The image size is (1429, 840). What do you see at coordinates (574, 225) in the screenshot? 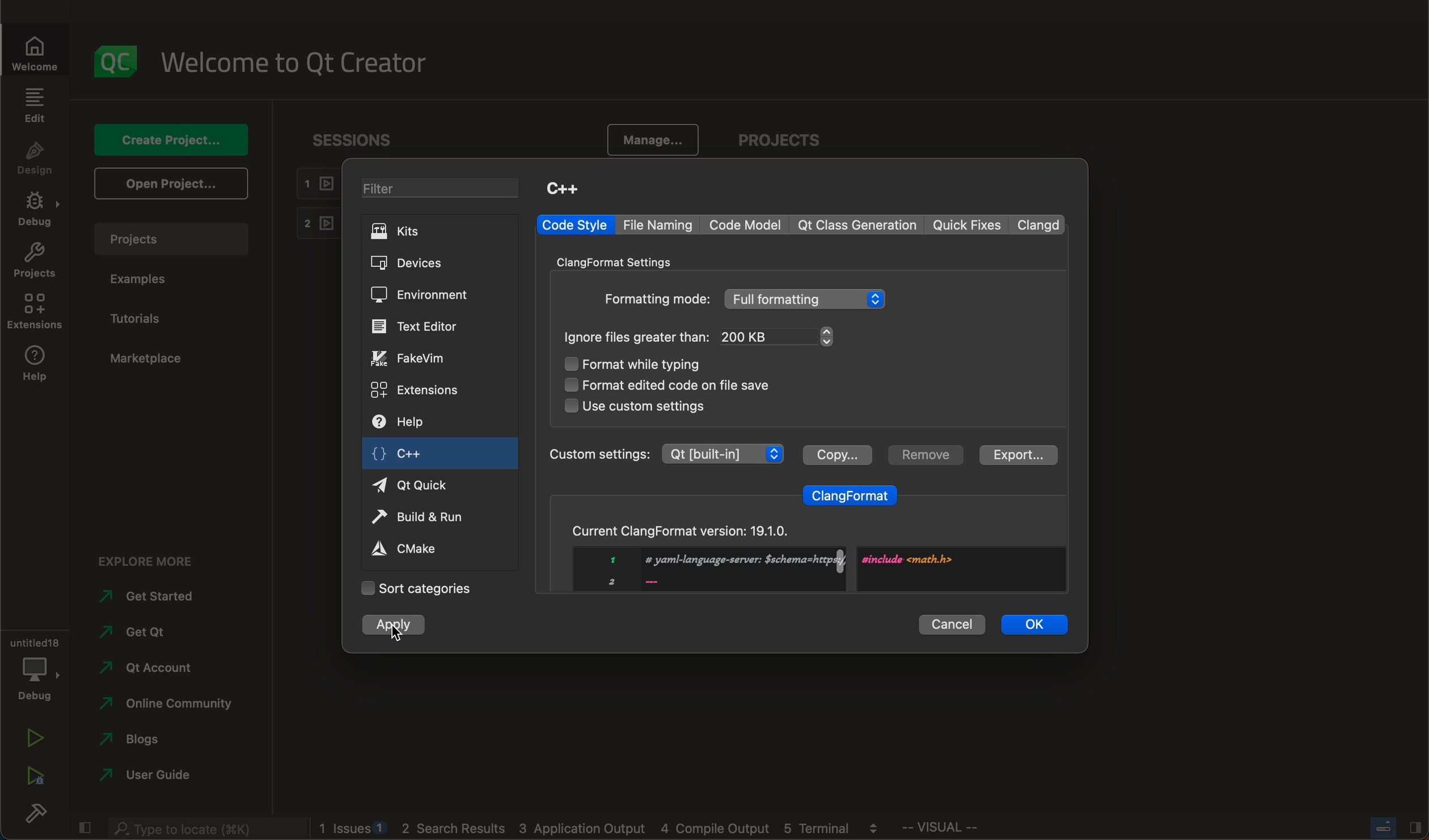
I see `style` at bounding box center [574, 225].